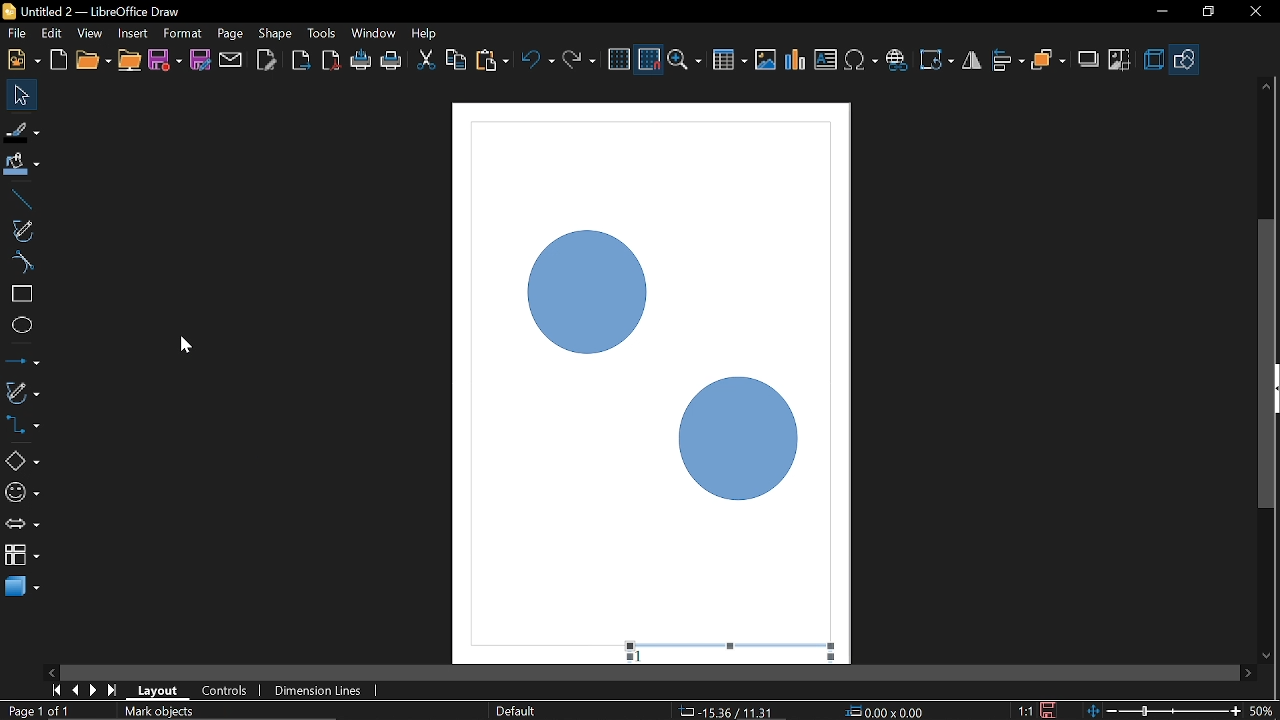 The image size is (1280, 720). What do you see at coordinates (321, 692) in the screenshot?
I see `DImension line` at bounding box center [321, 692].